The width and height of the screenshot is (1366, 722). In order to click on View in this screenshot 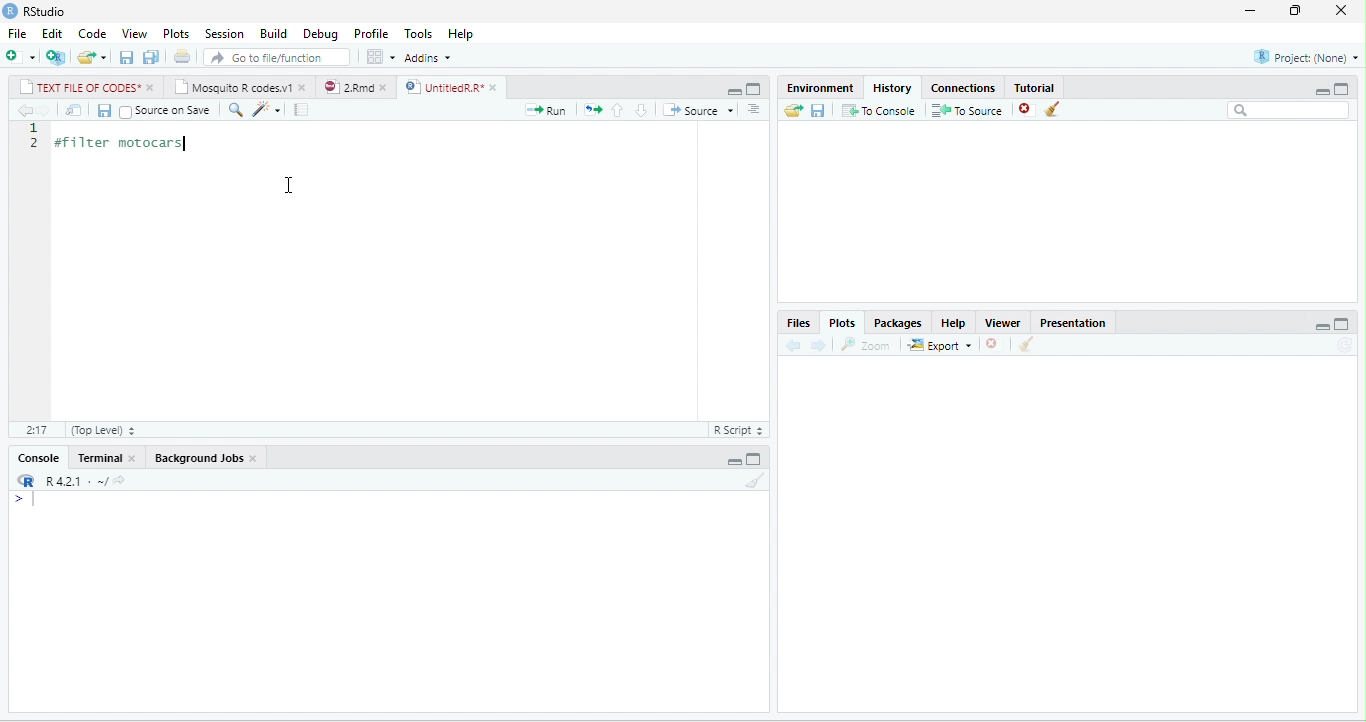, I will do `click(135, 33)`.